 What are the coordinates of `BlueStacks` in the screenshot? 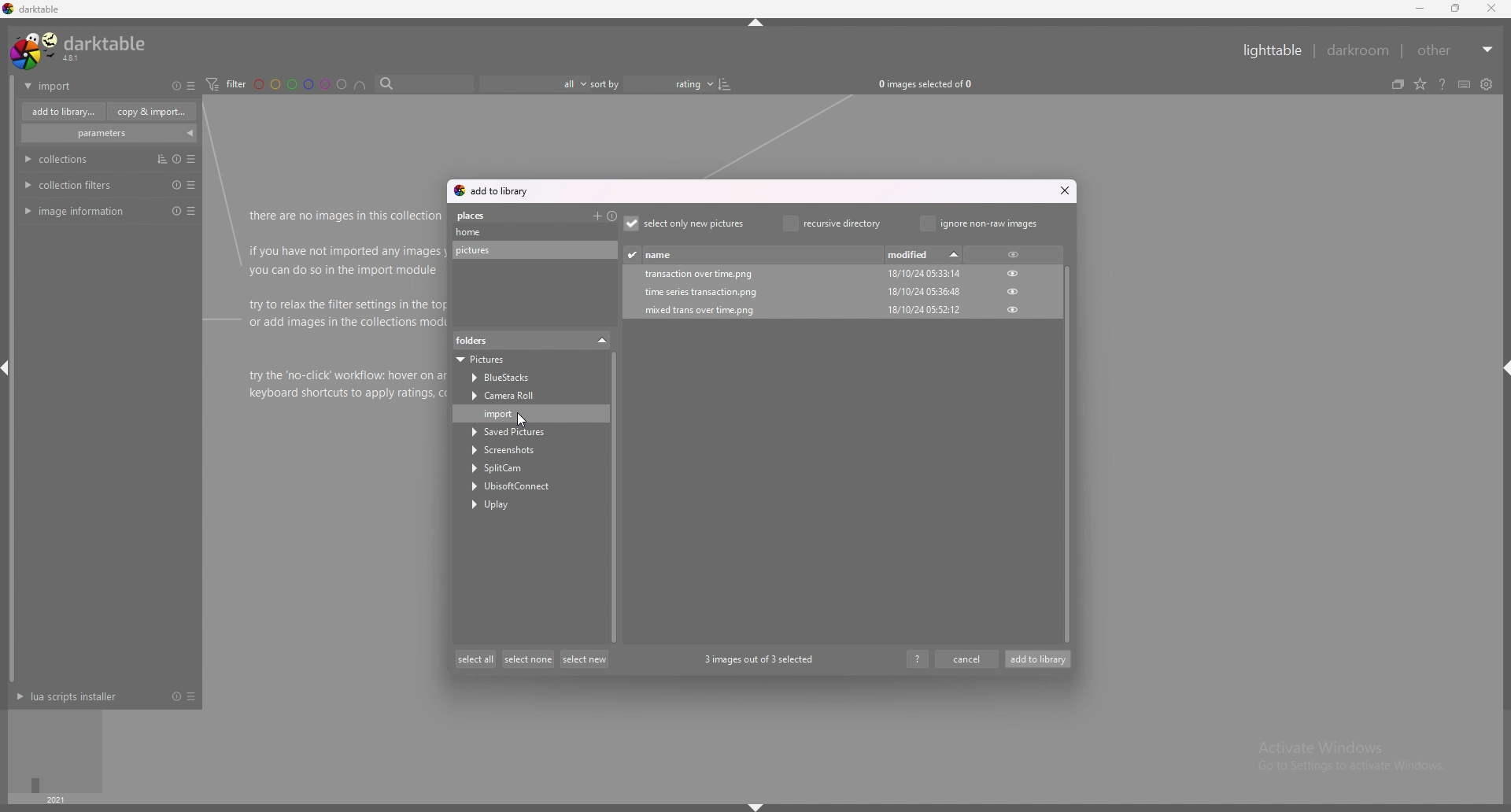 It's located at (527, 376).